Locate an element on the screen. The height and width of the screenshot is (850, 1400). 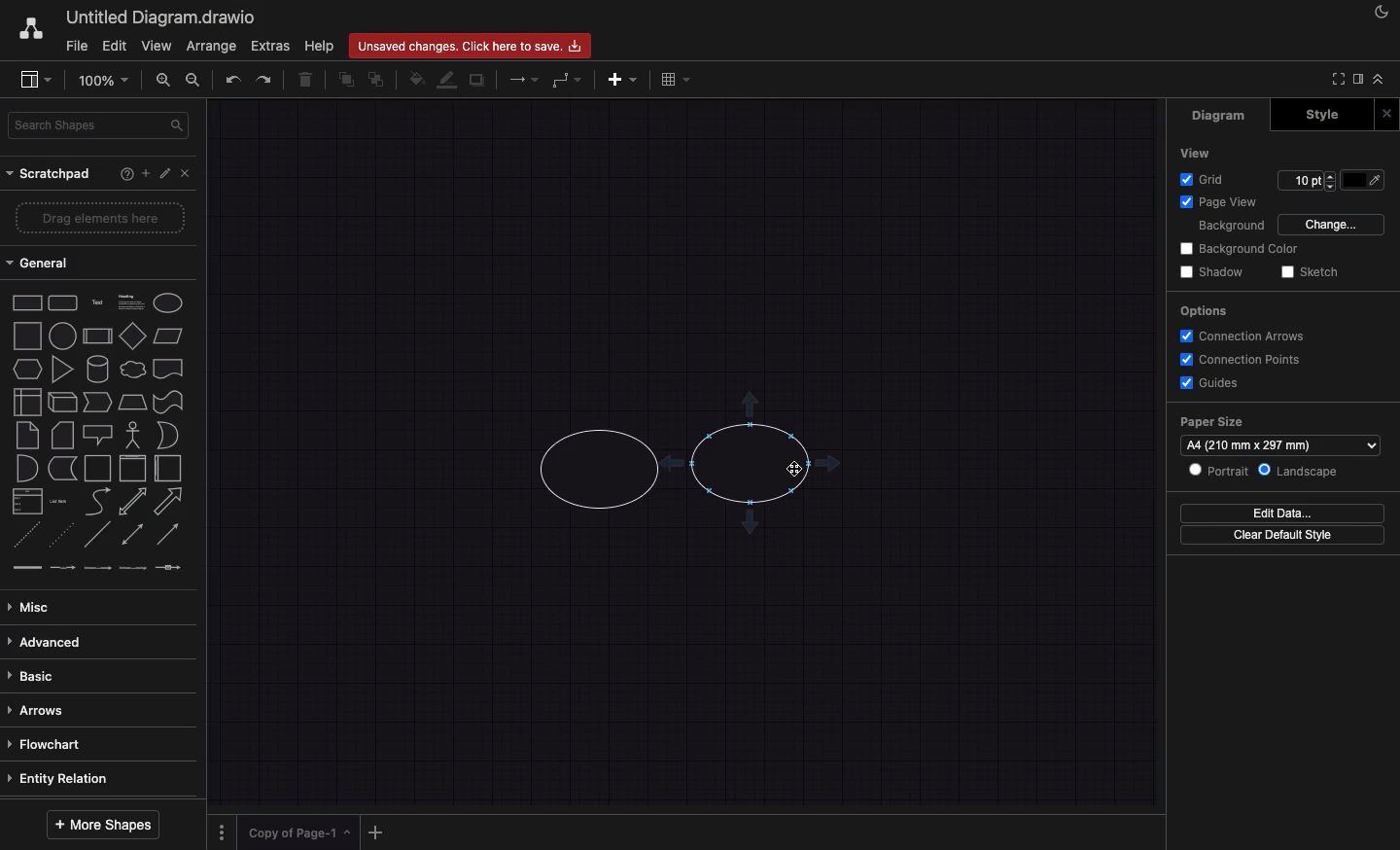
scroll is located at coordinates (102, 798).